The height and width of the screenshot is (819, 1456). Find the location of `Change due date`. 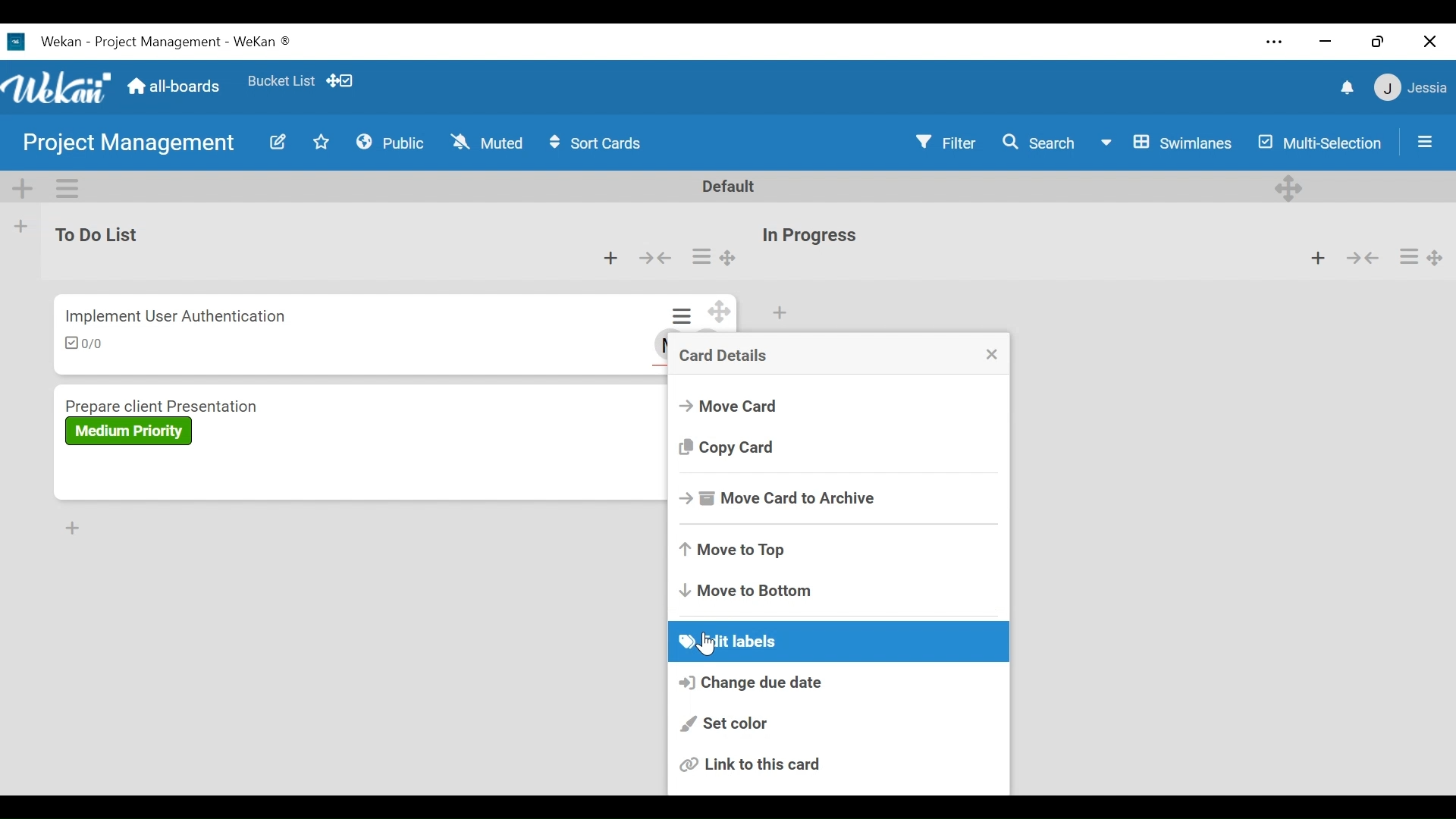

Change due date is located at coordinates (749, 682).